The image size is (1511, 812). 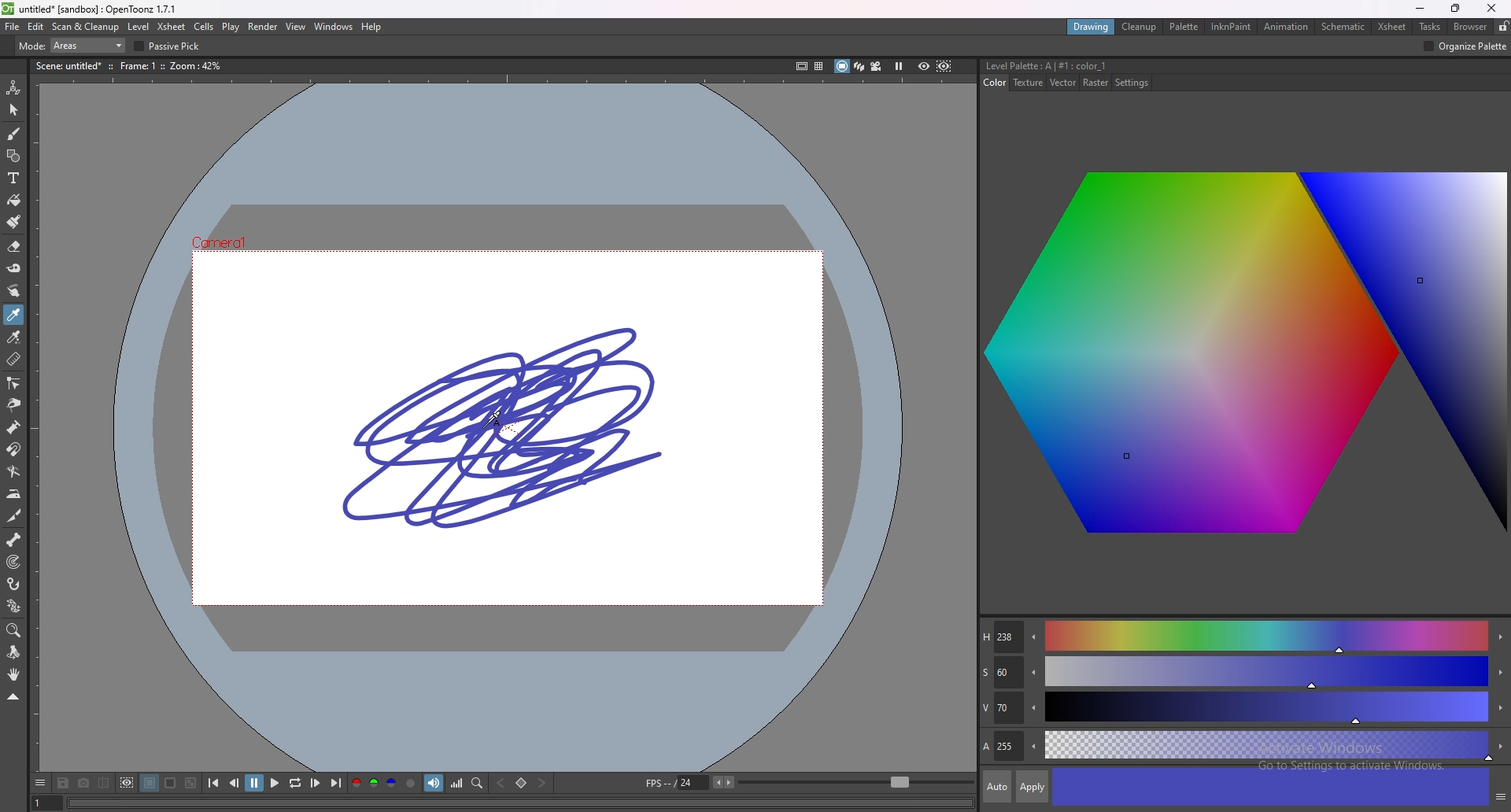 I want to click on white background, so click(x=171, y=783).